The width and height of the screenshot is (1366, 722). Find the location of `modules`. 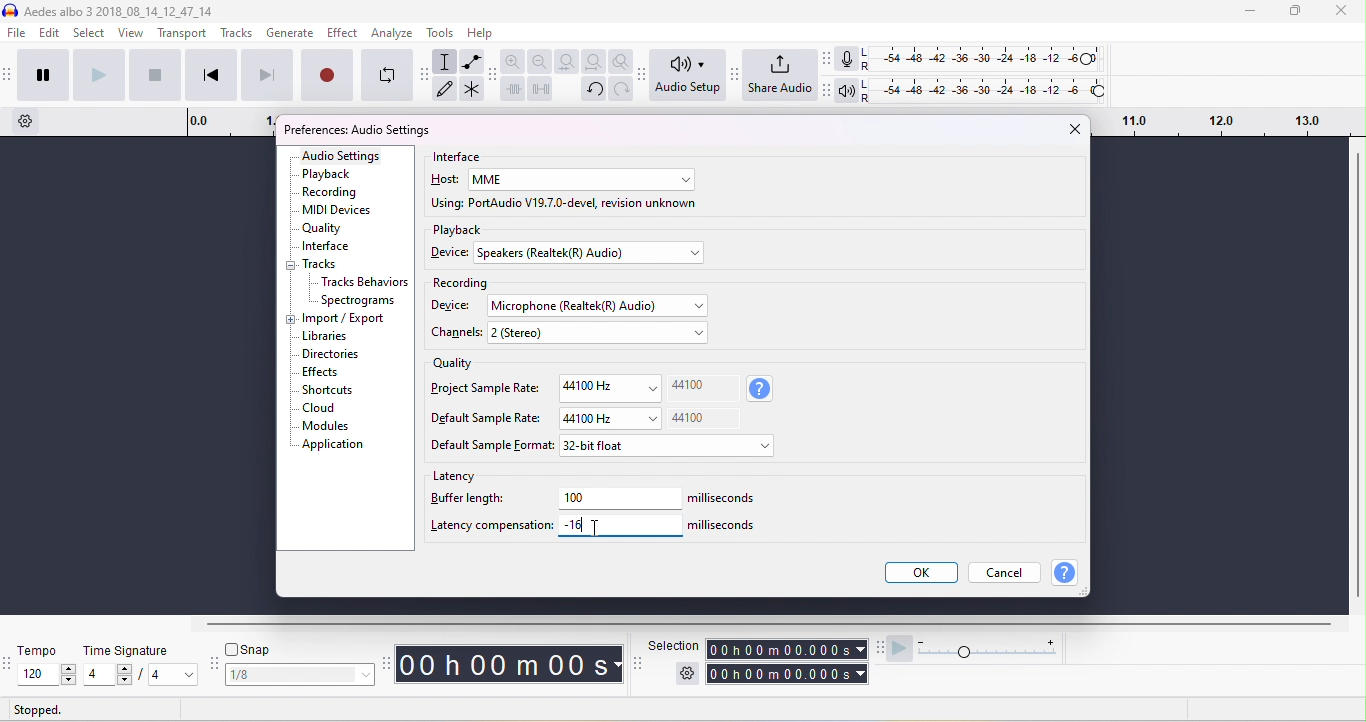

modules is located at coordinates (324, 426).